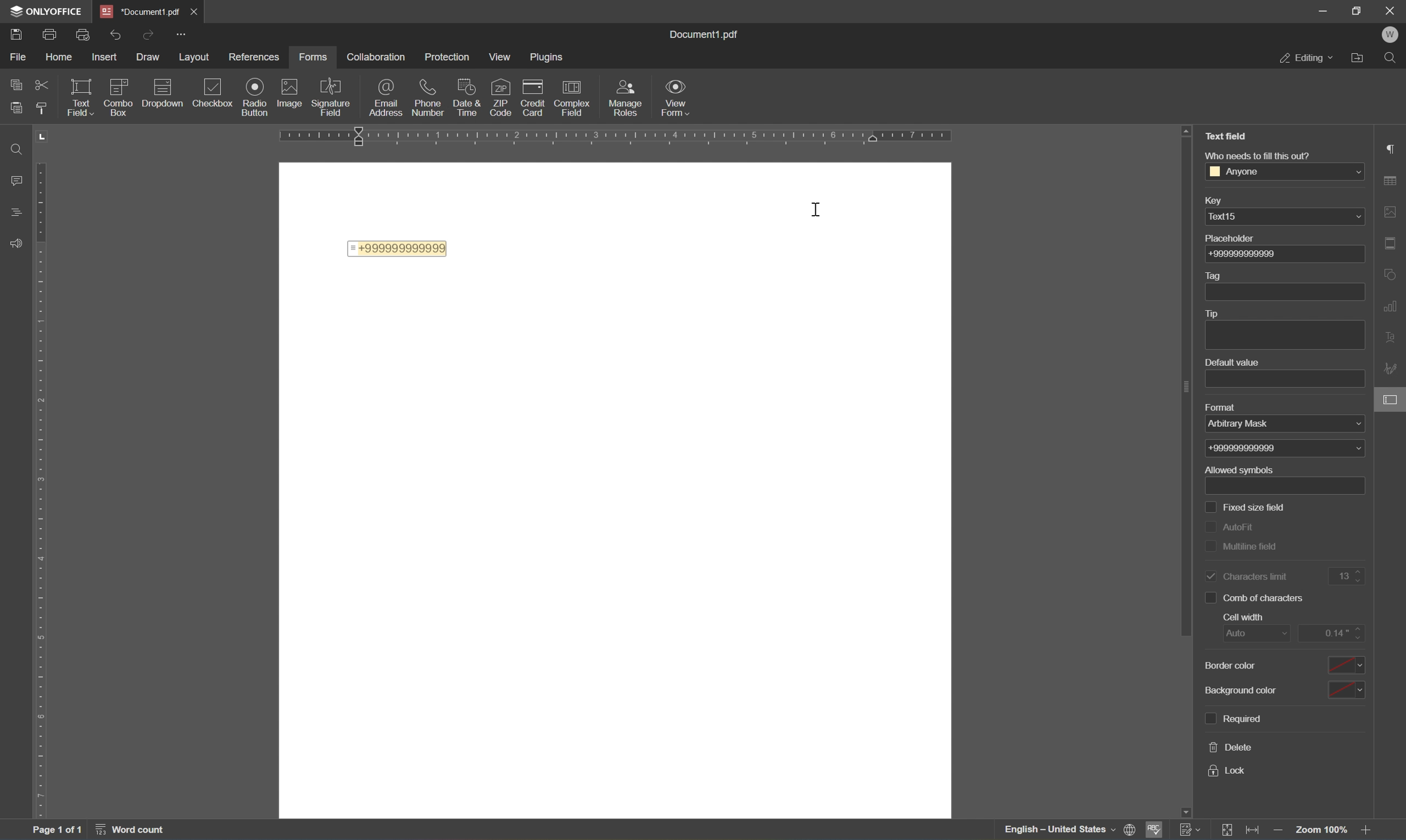  Describe the element at coordinates (1232, 747) in the screenshot. I see `delete` at that location.